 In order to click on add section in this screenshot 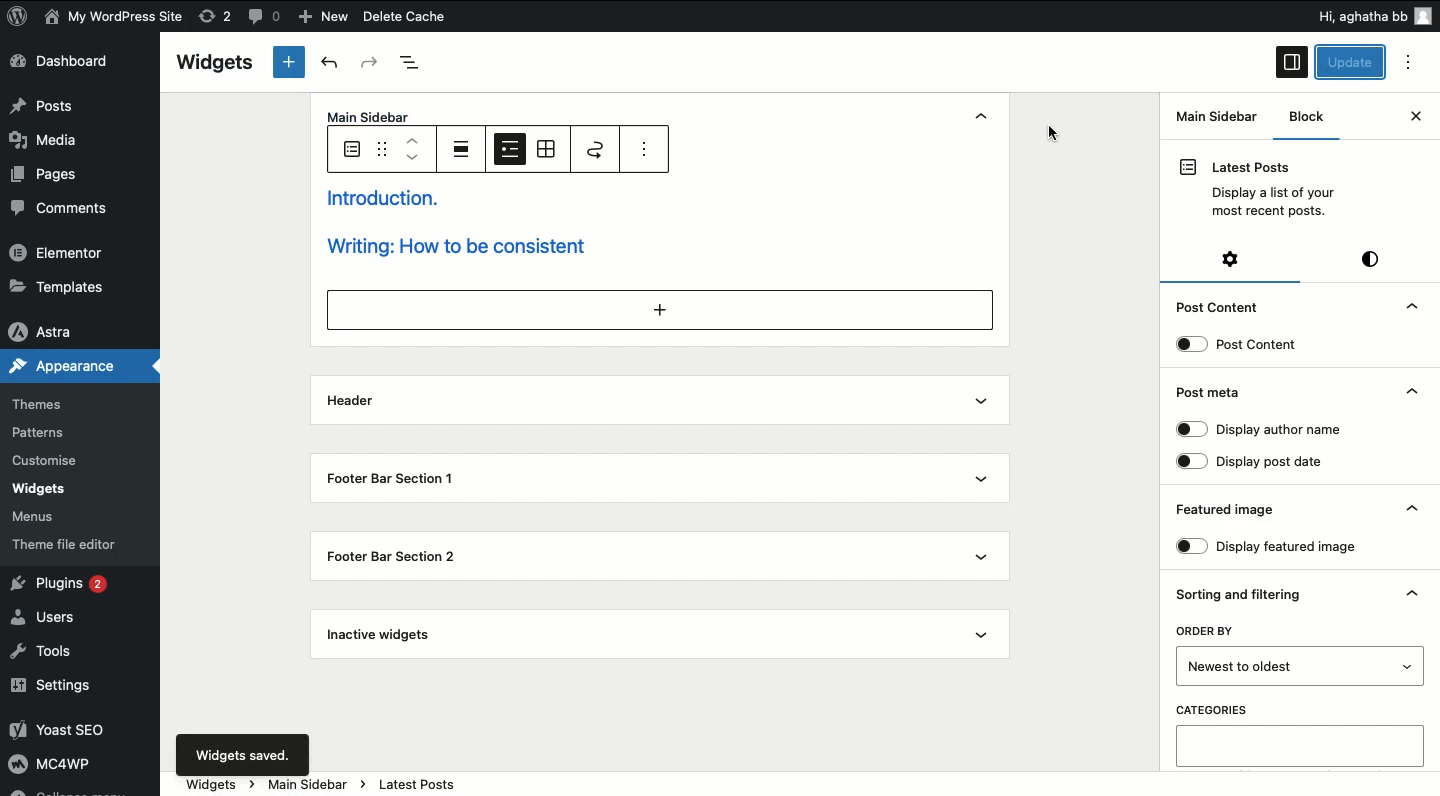, I will do `click(590, 309)`.